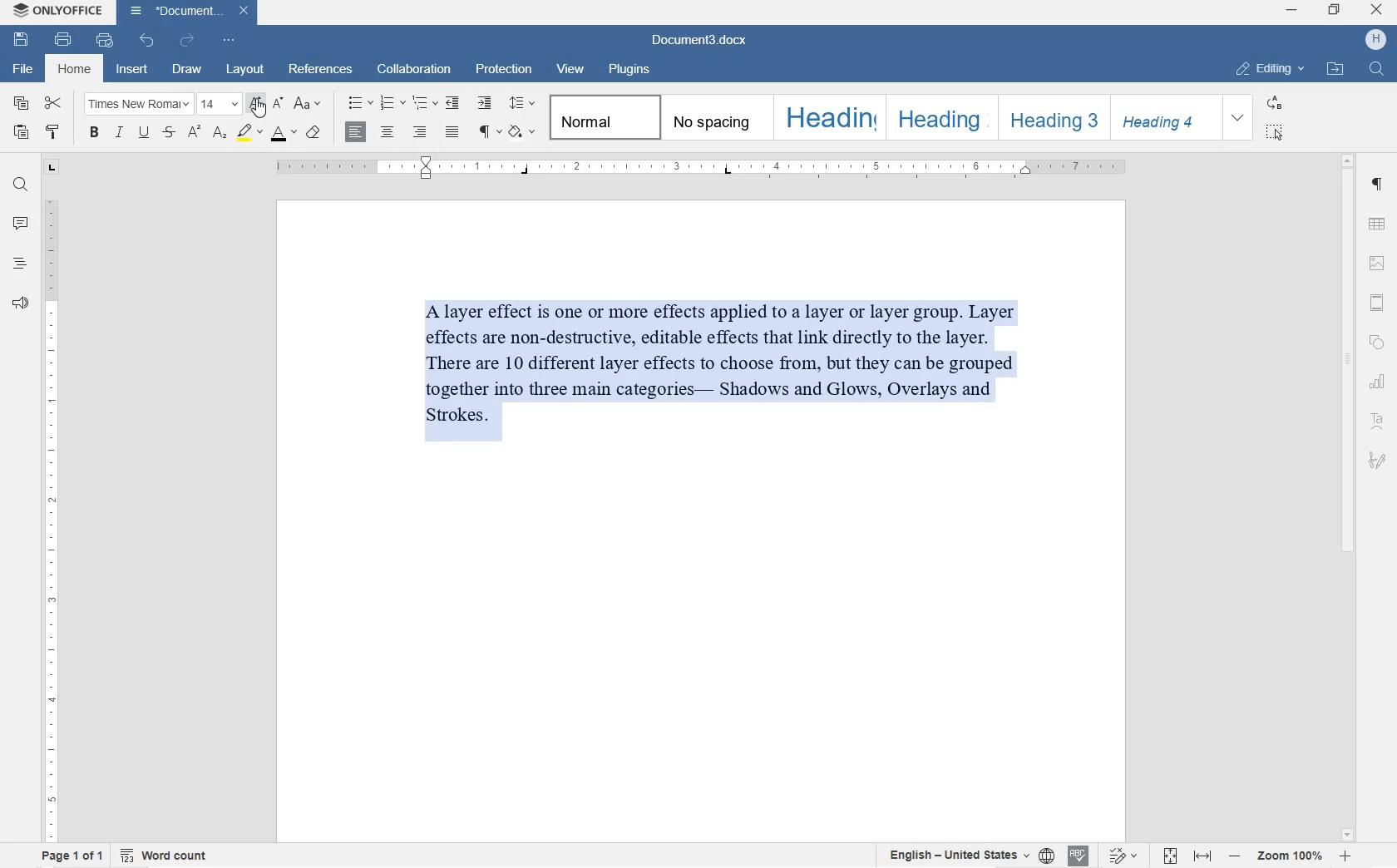 Image resolution: width=1397 pixels, height=868 pixels. I want to click on TABLE, so click(1378, 225).